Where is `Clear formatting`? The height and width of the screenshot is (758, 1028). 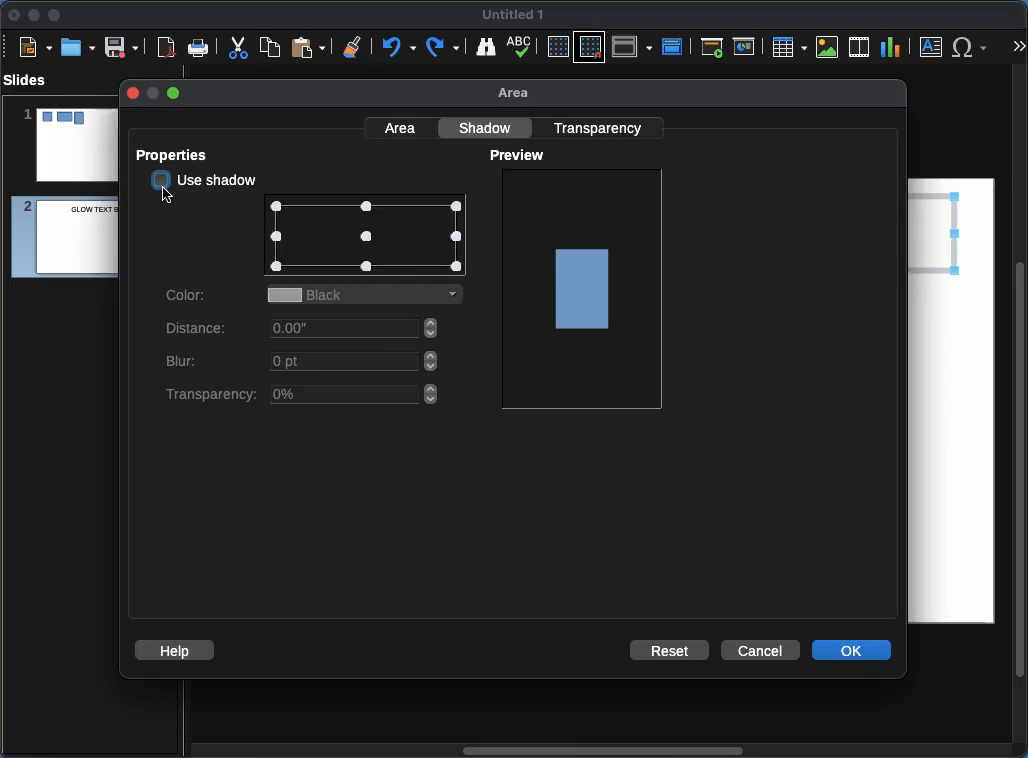 Clear formatting is located at coordinates (353, 45).